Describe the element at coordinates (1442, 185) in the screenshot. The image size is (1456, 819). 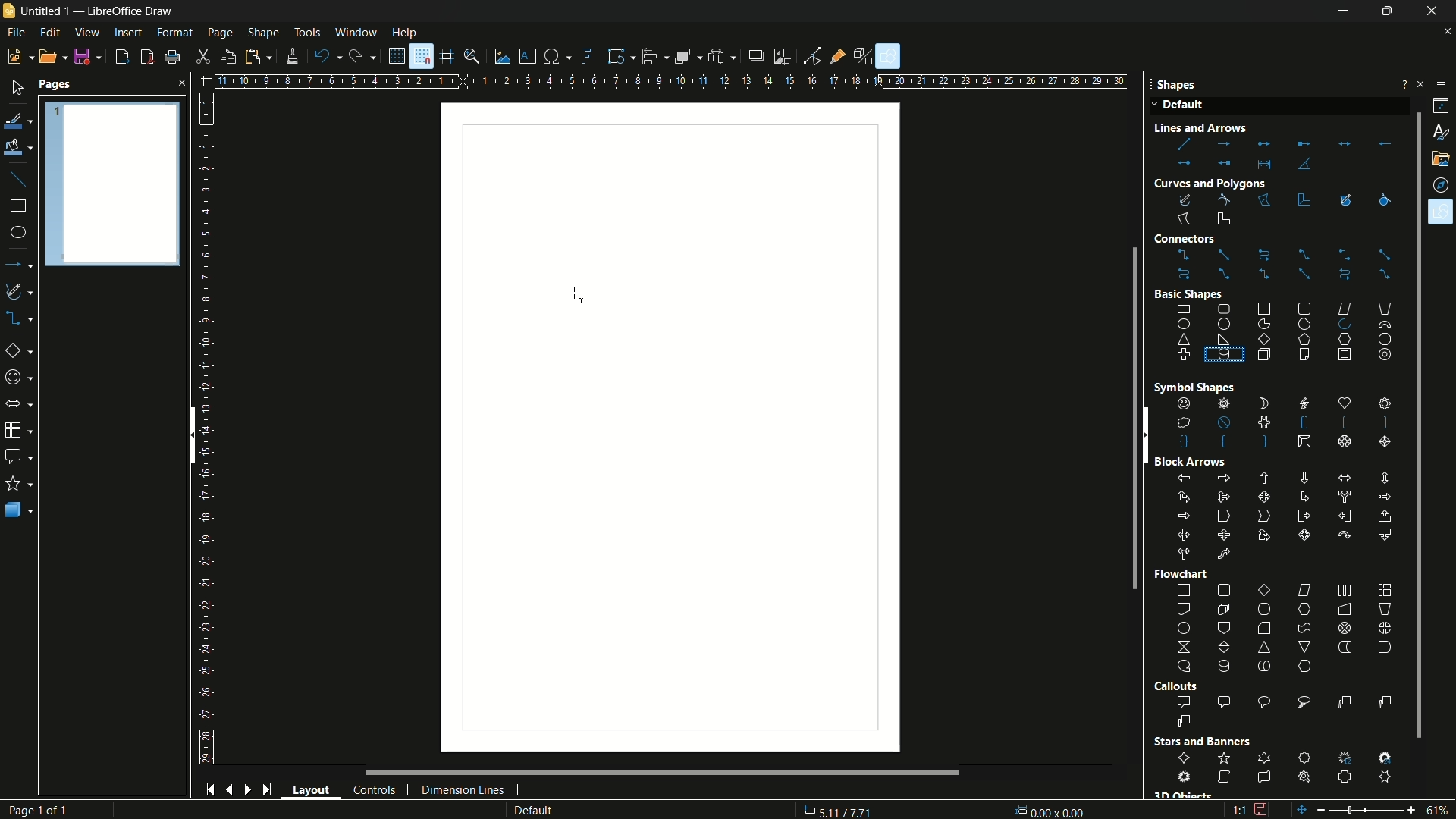
I see `navigator` at that location.